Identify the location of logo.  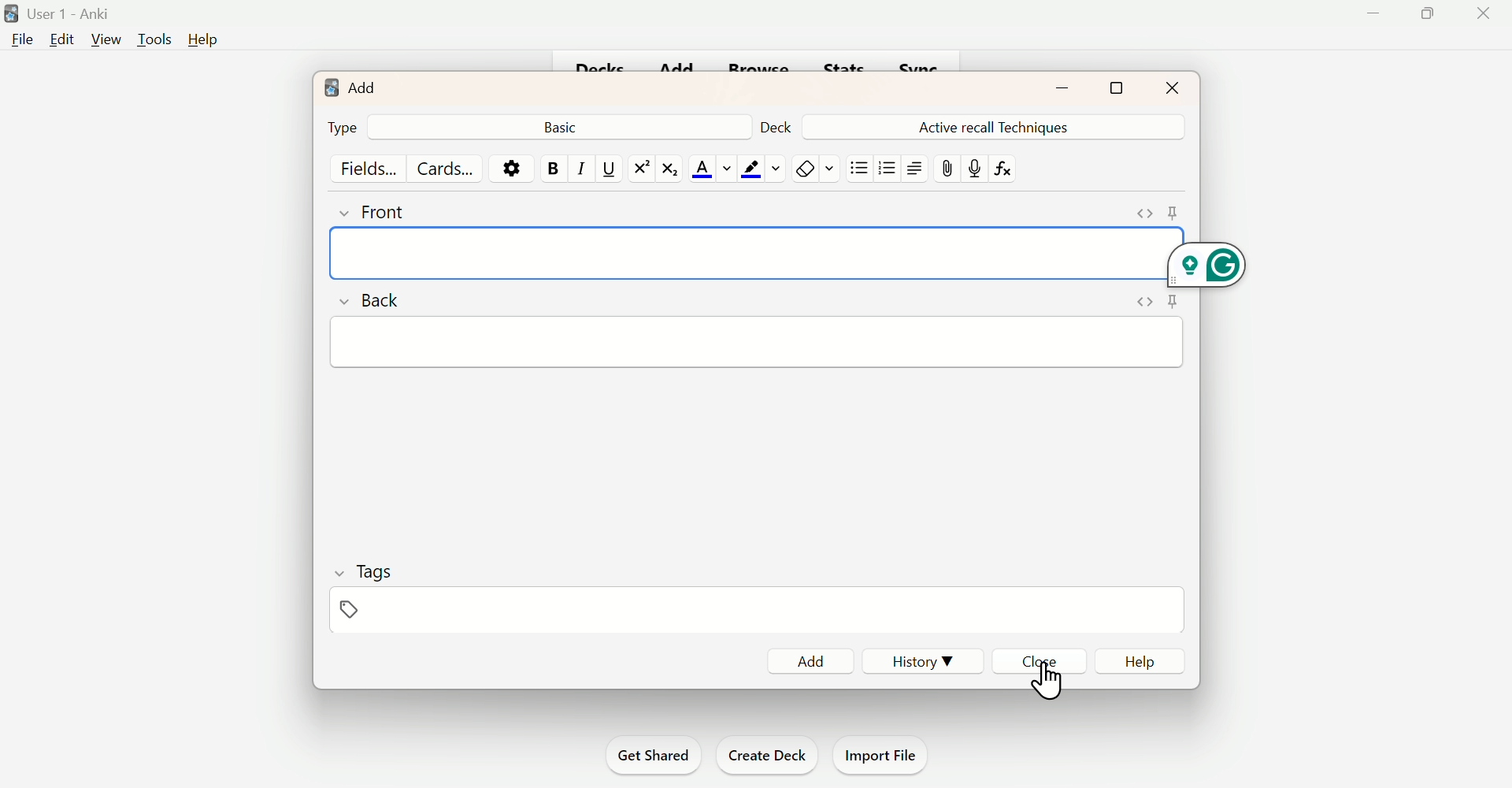
(327, 86).